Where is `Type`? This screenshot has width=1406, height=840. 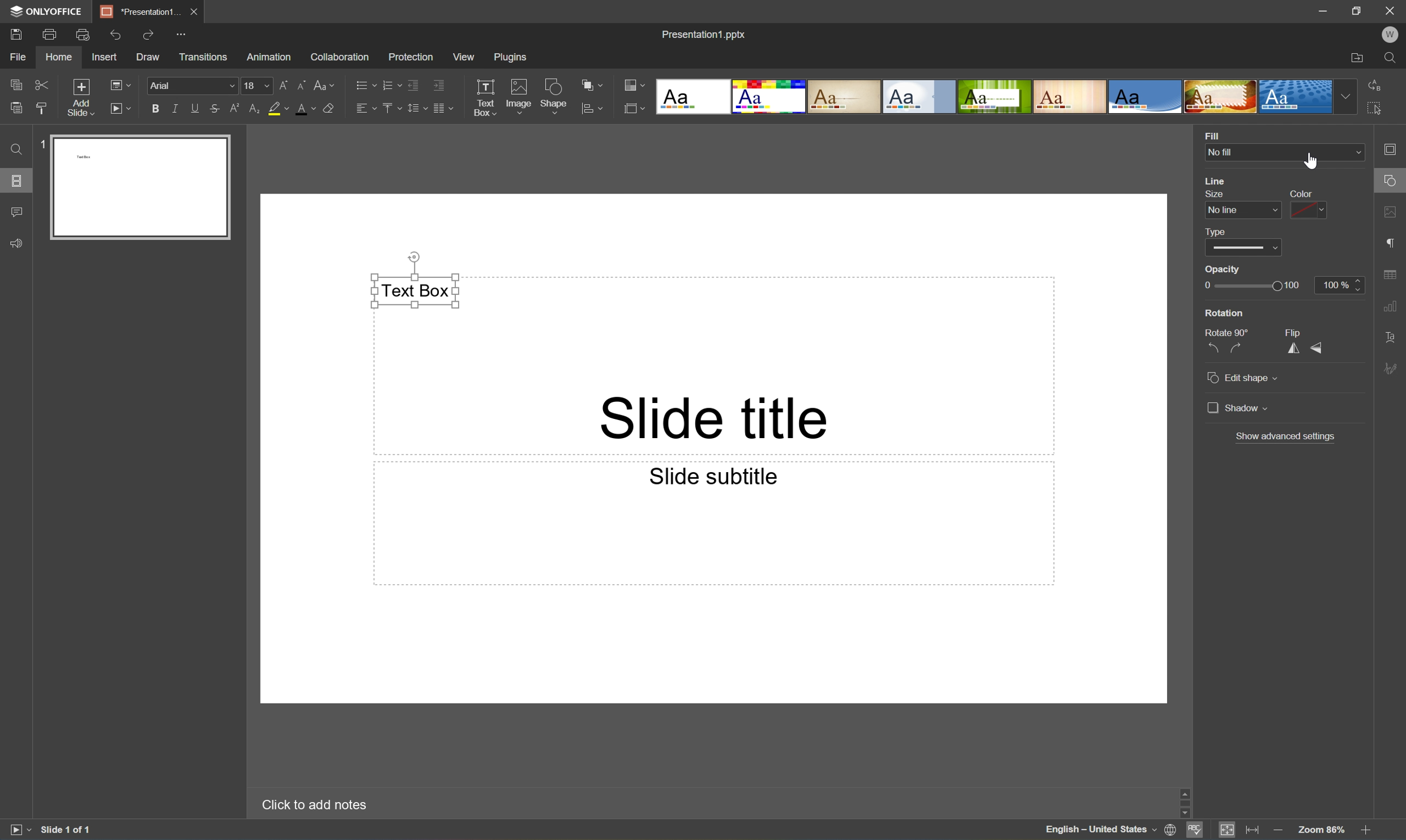 Type is located at coordinates (1213, 232).